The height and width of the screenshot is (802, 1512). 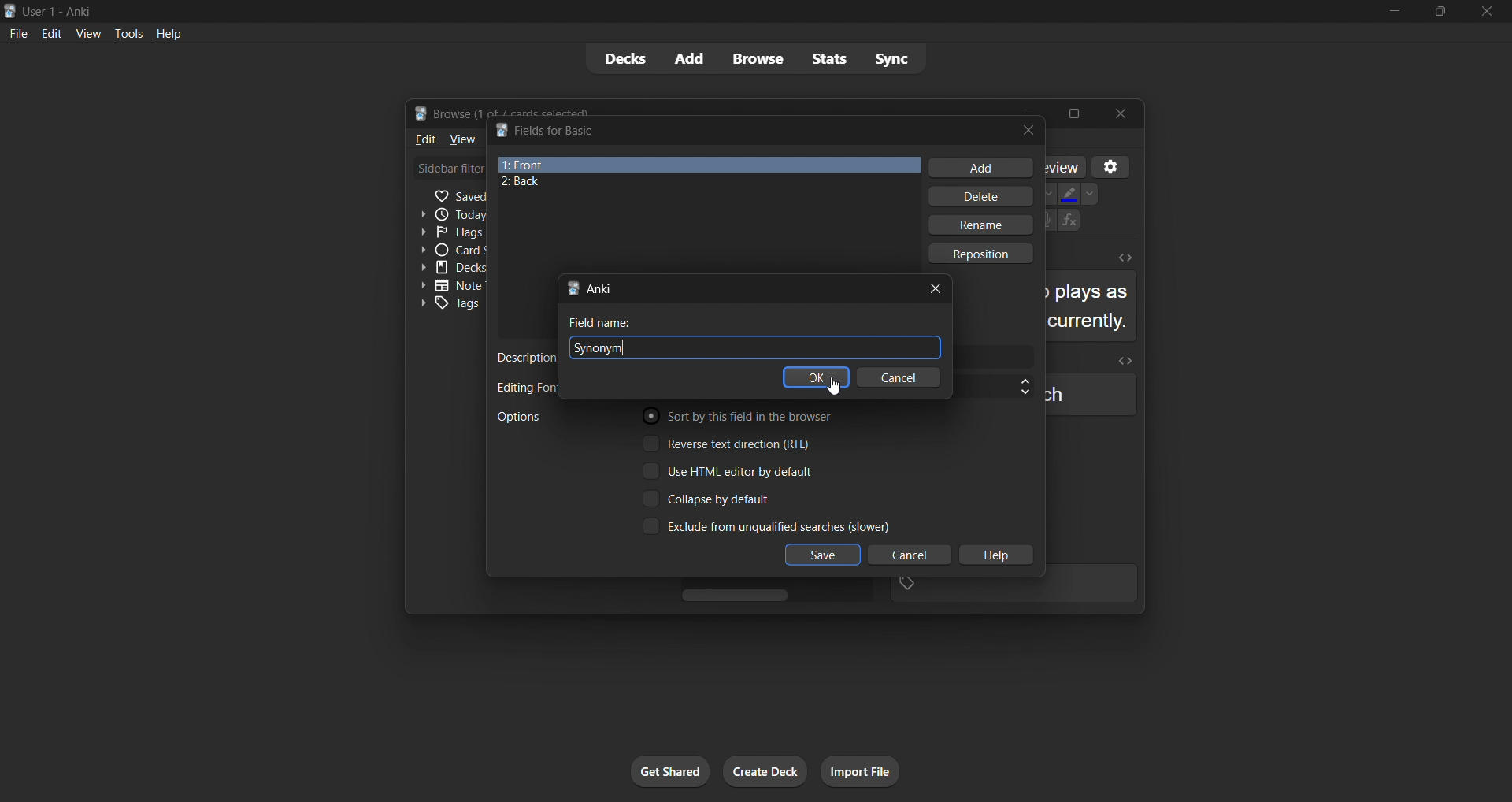 I want to click on Sort by the field in the browser, so click(x=739, y=418).